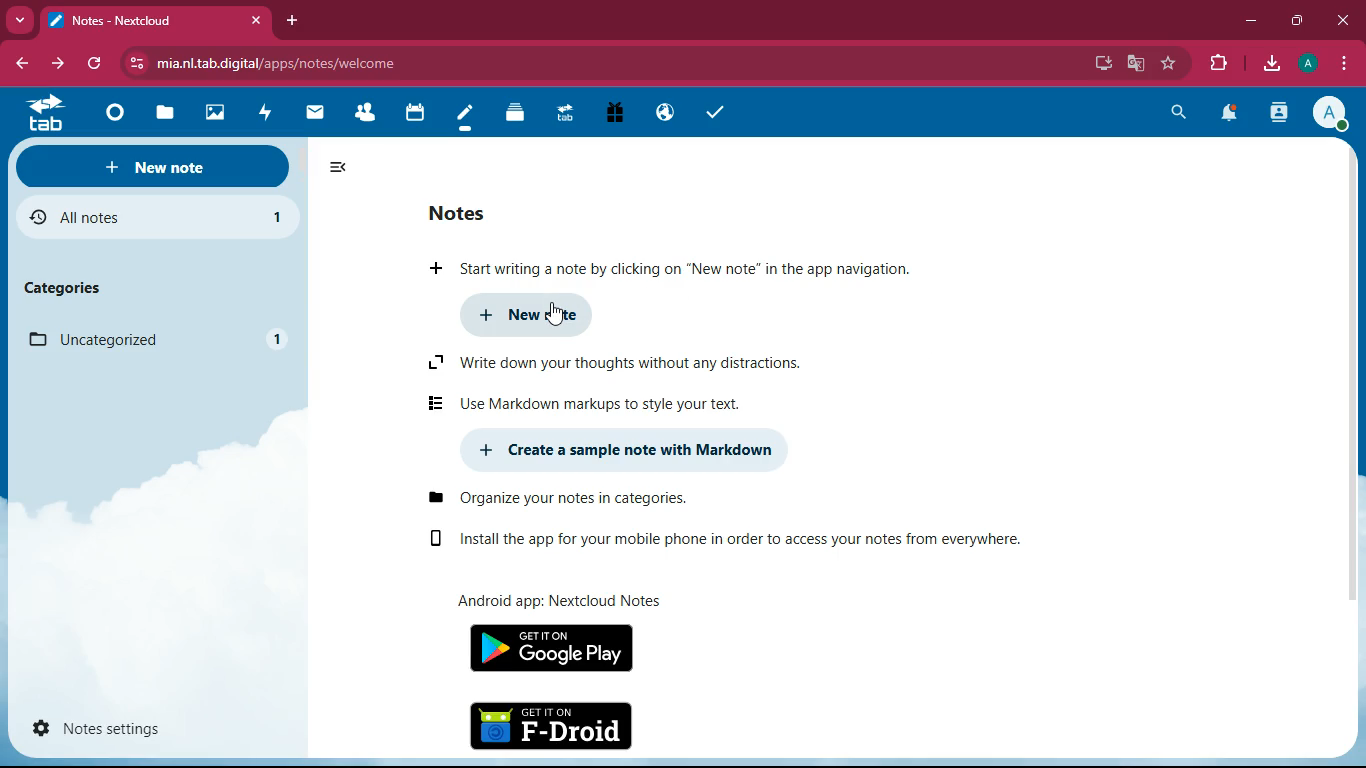 This screenshot has height=768, width=1366. Describe the element at coordinates (1278, 114) in the screenshot. I see `user` at that location.